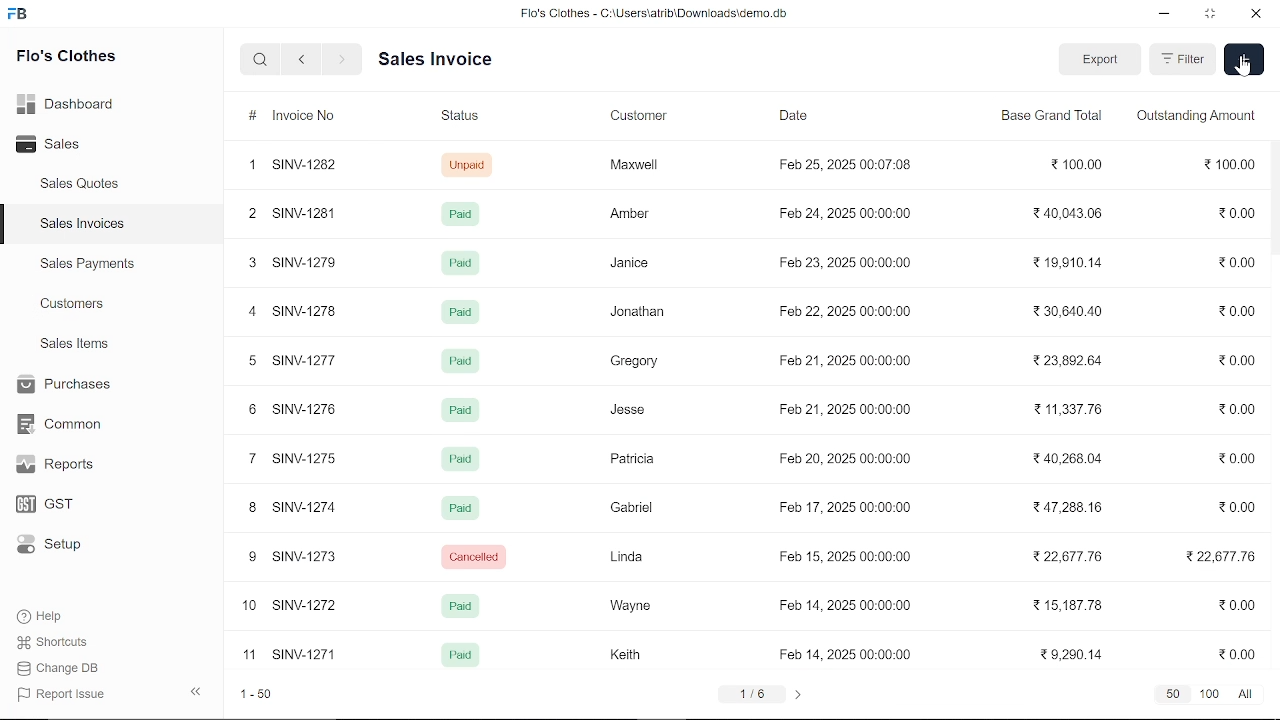 The image size is (1280, 720). What do you see at coordinates (62, 505) in the screenshot?
I see `GST` at bounding box center [62, 505].